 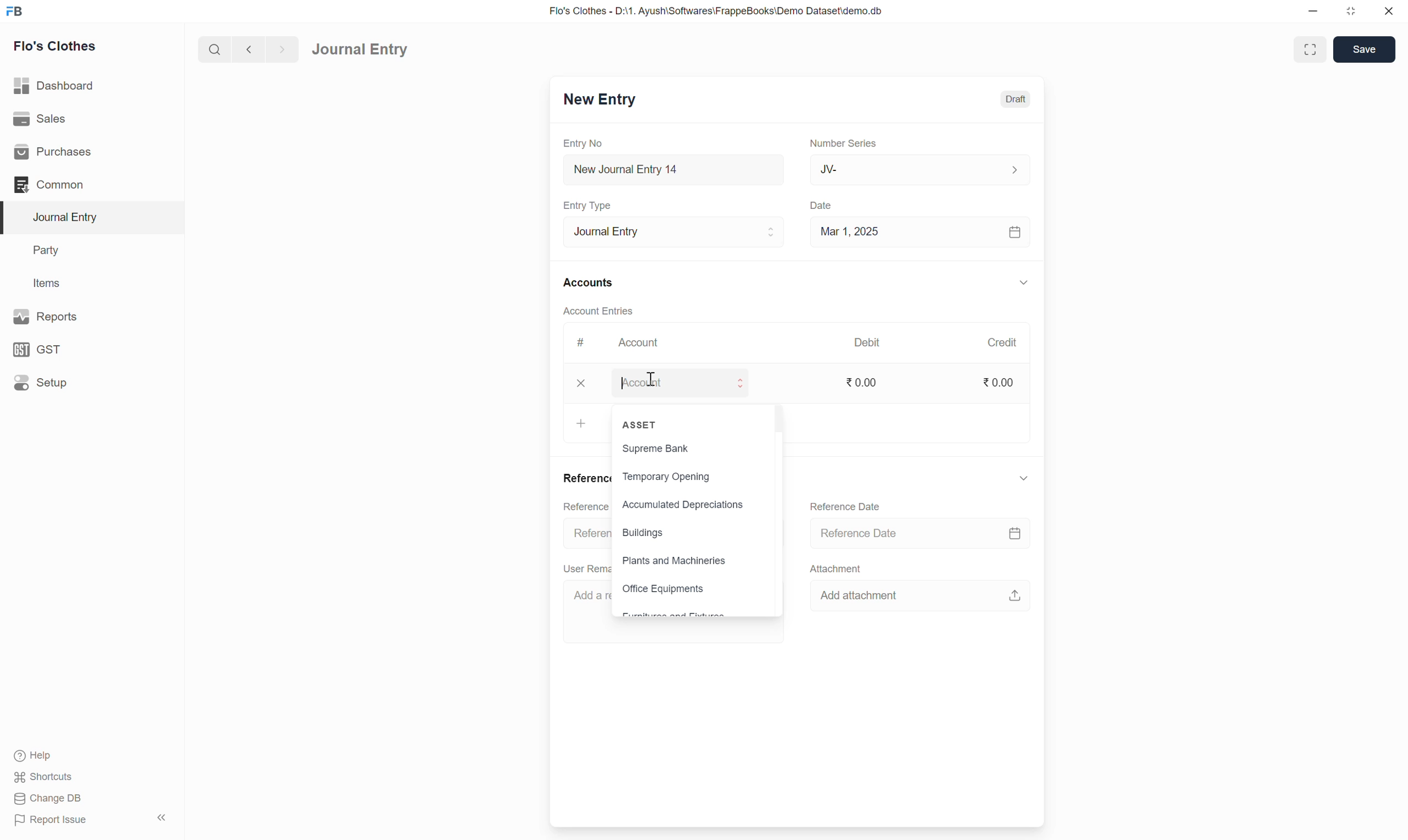 I want to click on New Journal Entry 14, so click(x=646, y=170).